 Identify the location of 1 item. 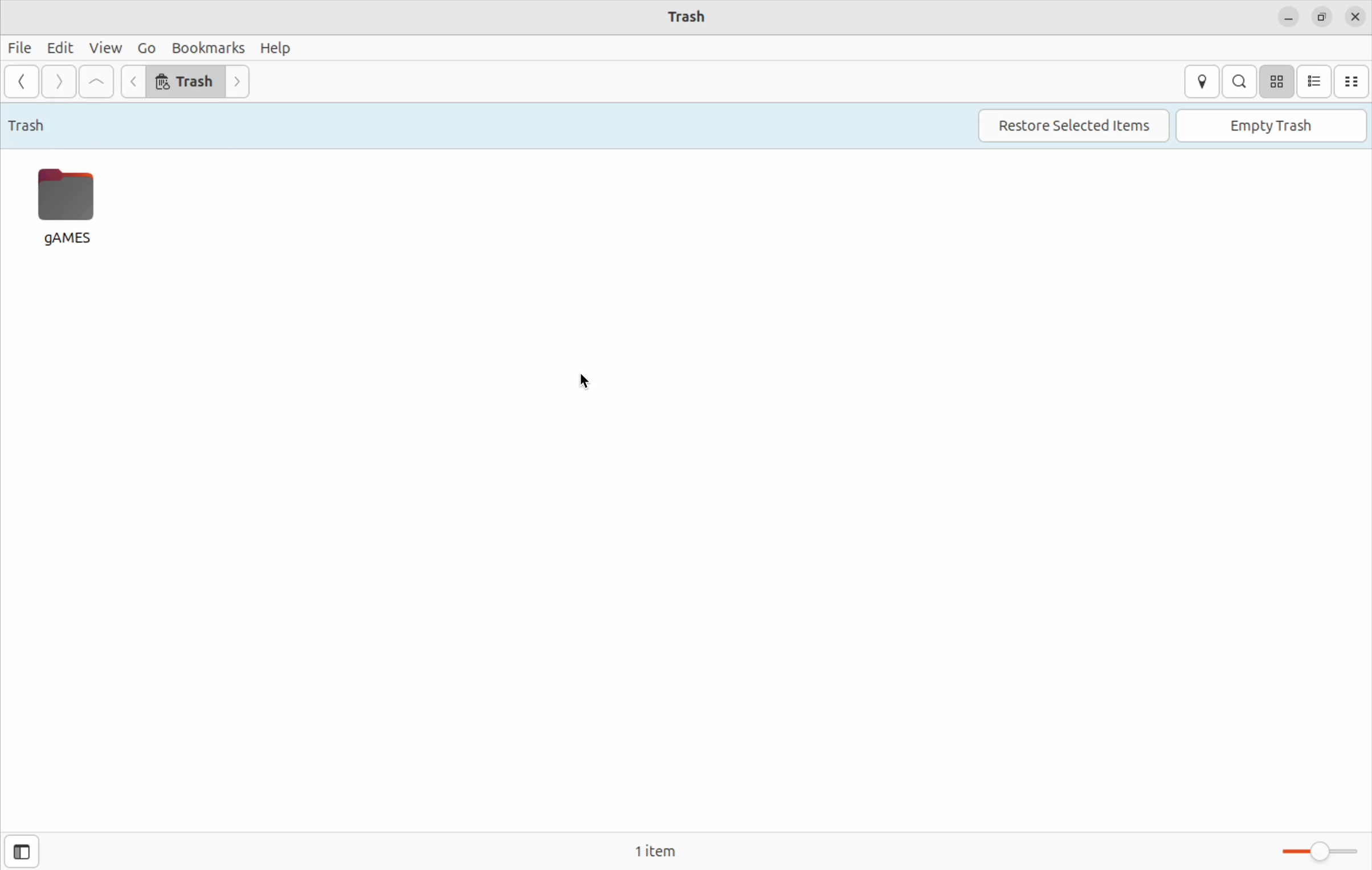
(652, 852).